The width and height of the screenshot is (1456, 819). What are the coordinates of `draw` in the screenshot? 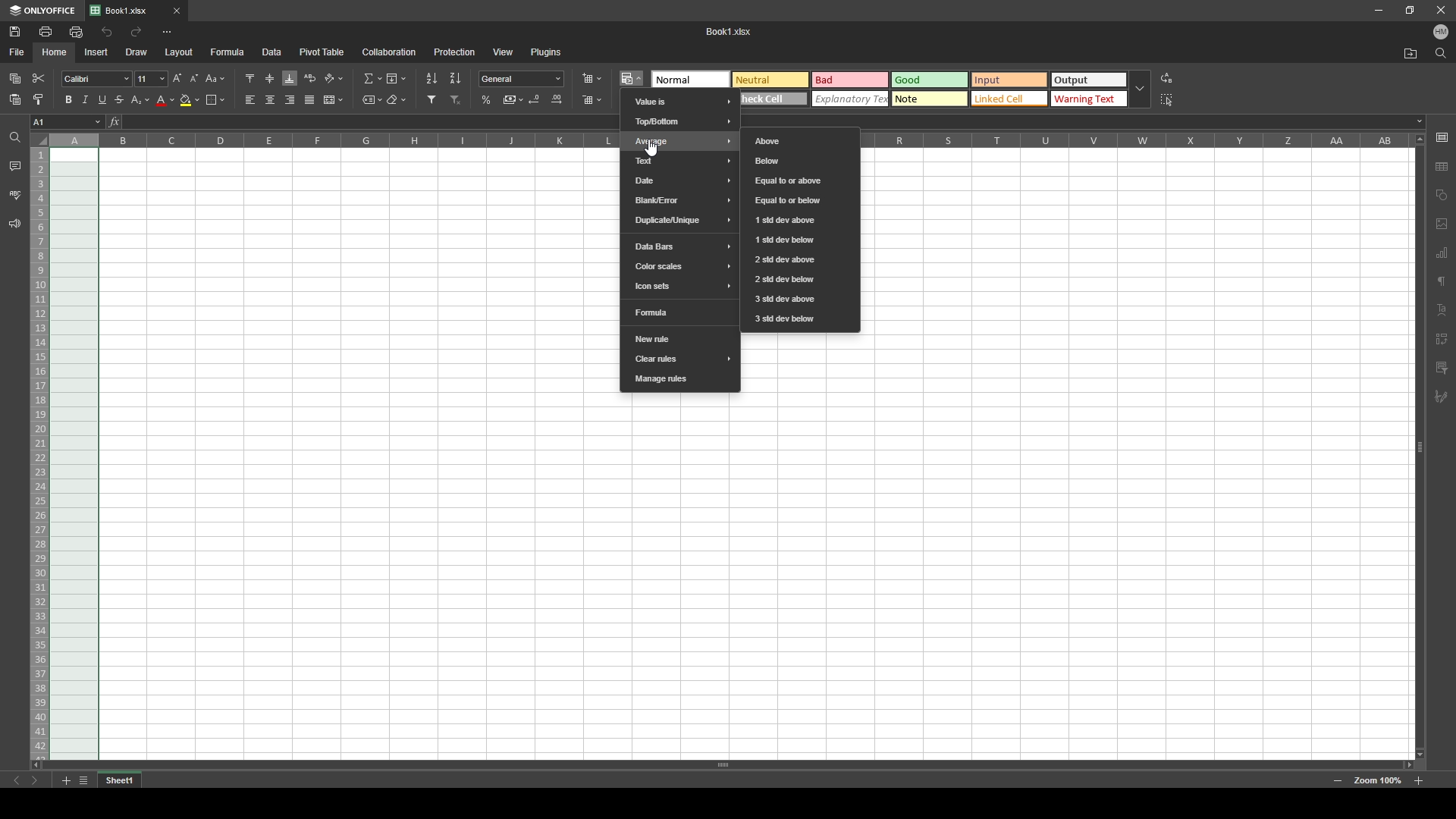 It's located at (136, 52).